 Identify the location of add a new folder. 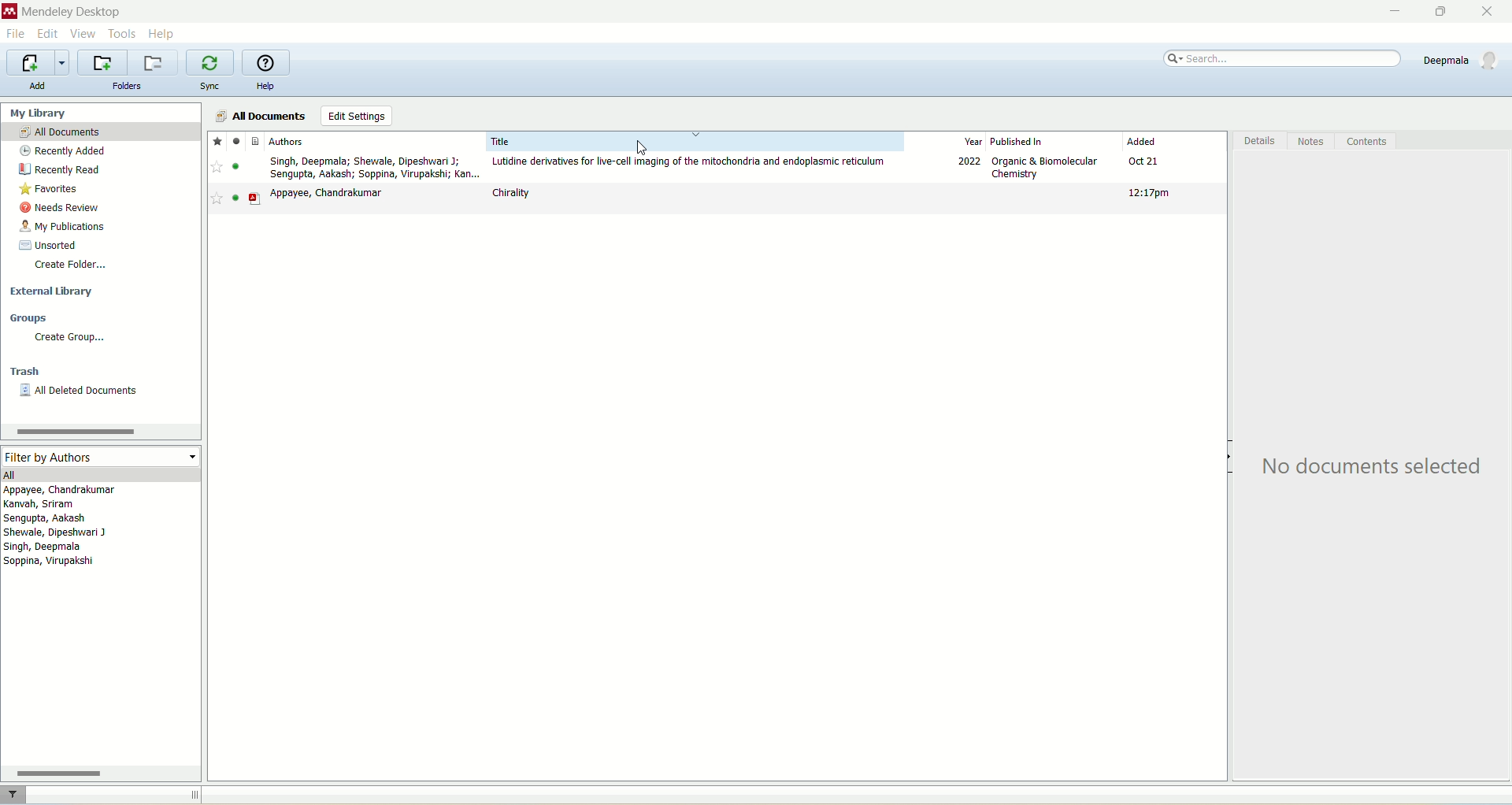
(102, 63).